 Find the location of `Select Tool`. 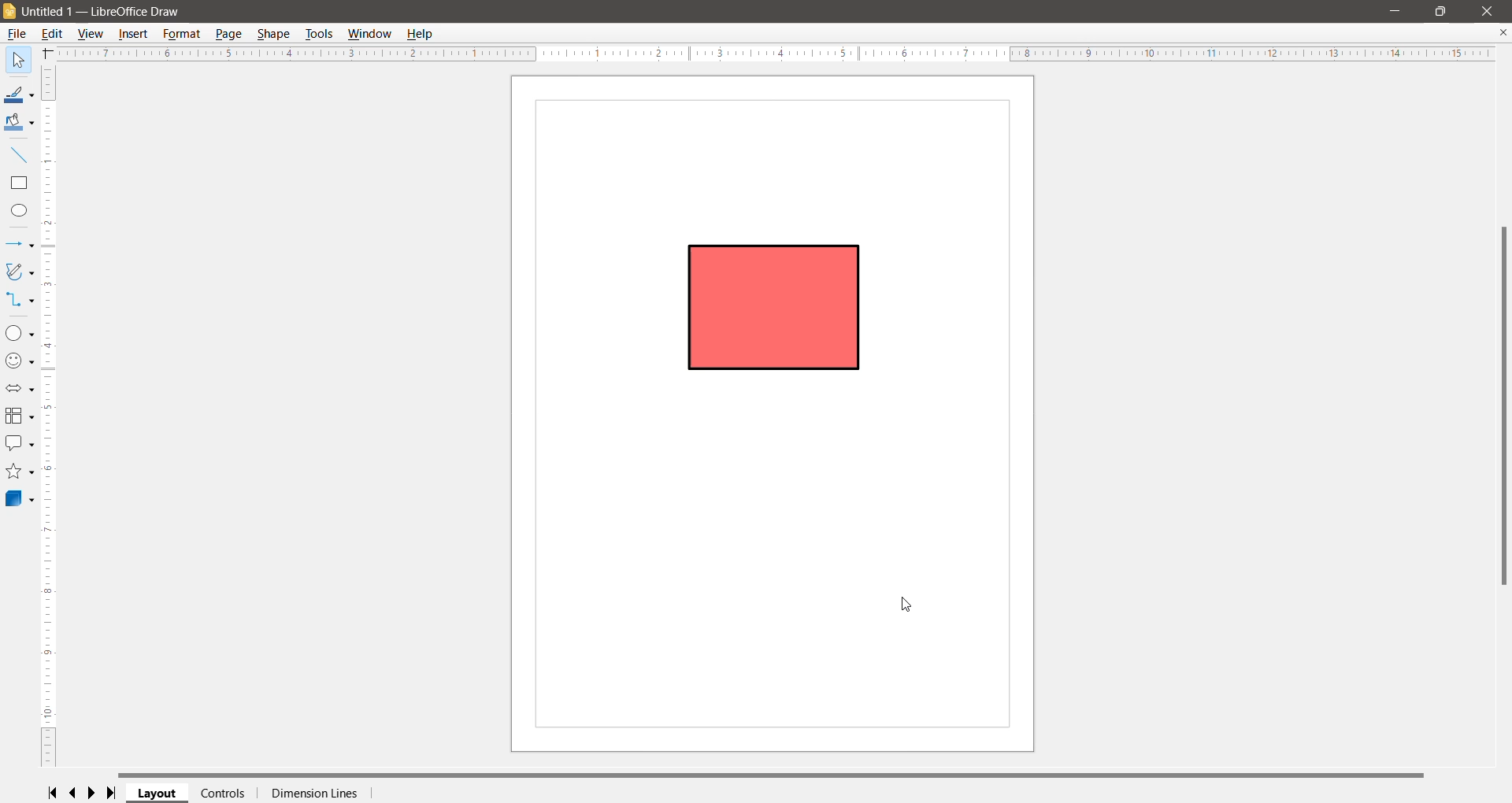

Select Tool is located at coordinates (20, 60).